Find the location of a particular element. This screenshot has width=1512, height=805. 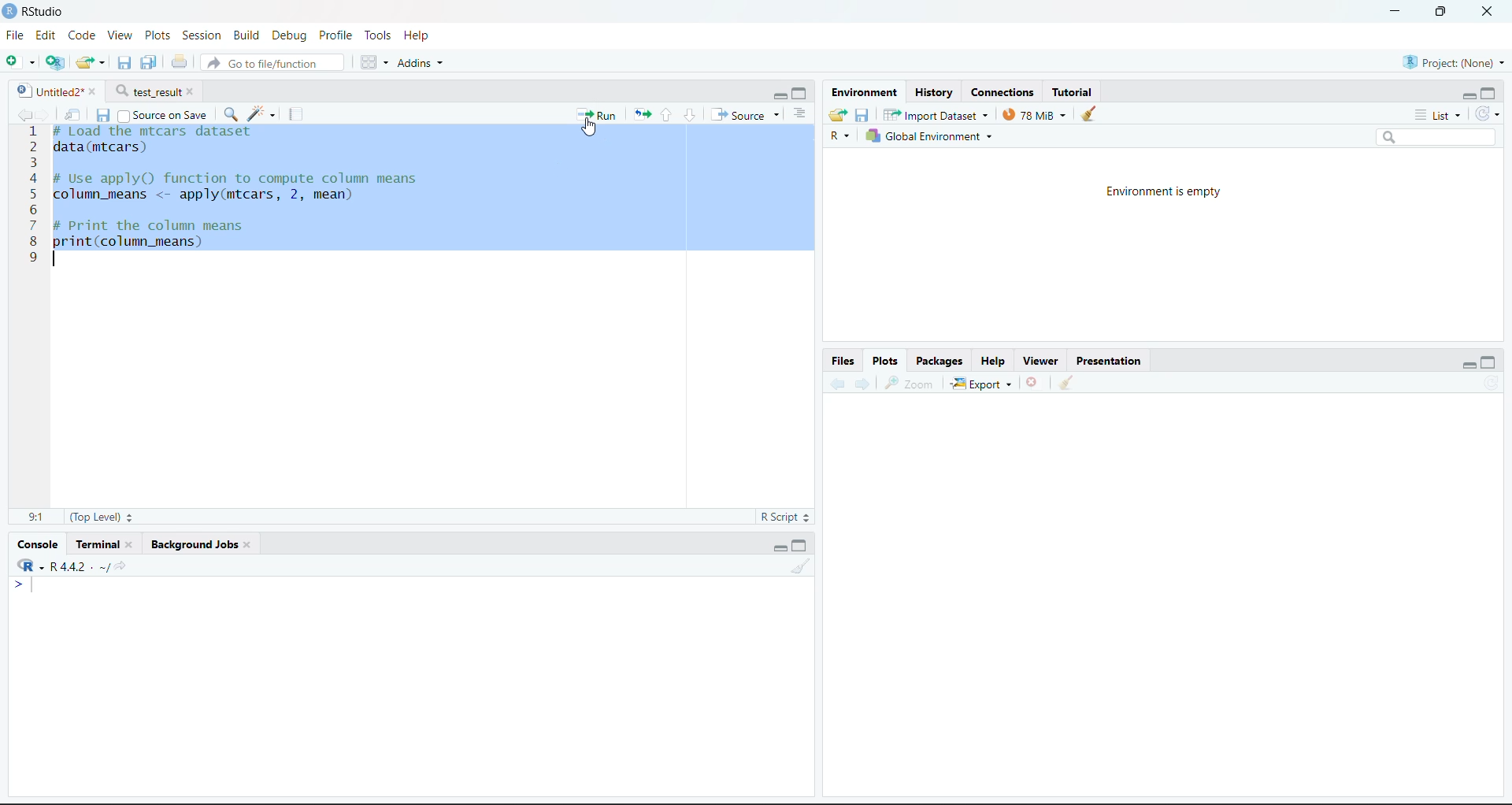

Run the current line or selection (Ctrl + Enter) is located at coordinates (593, 116).